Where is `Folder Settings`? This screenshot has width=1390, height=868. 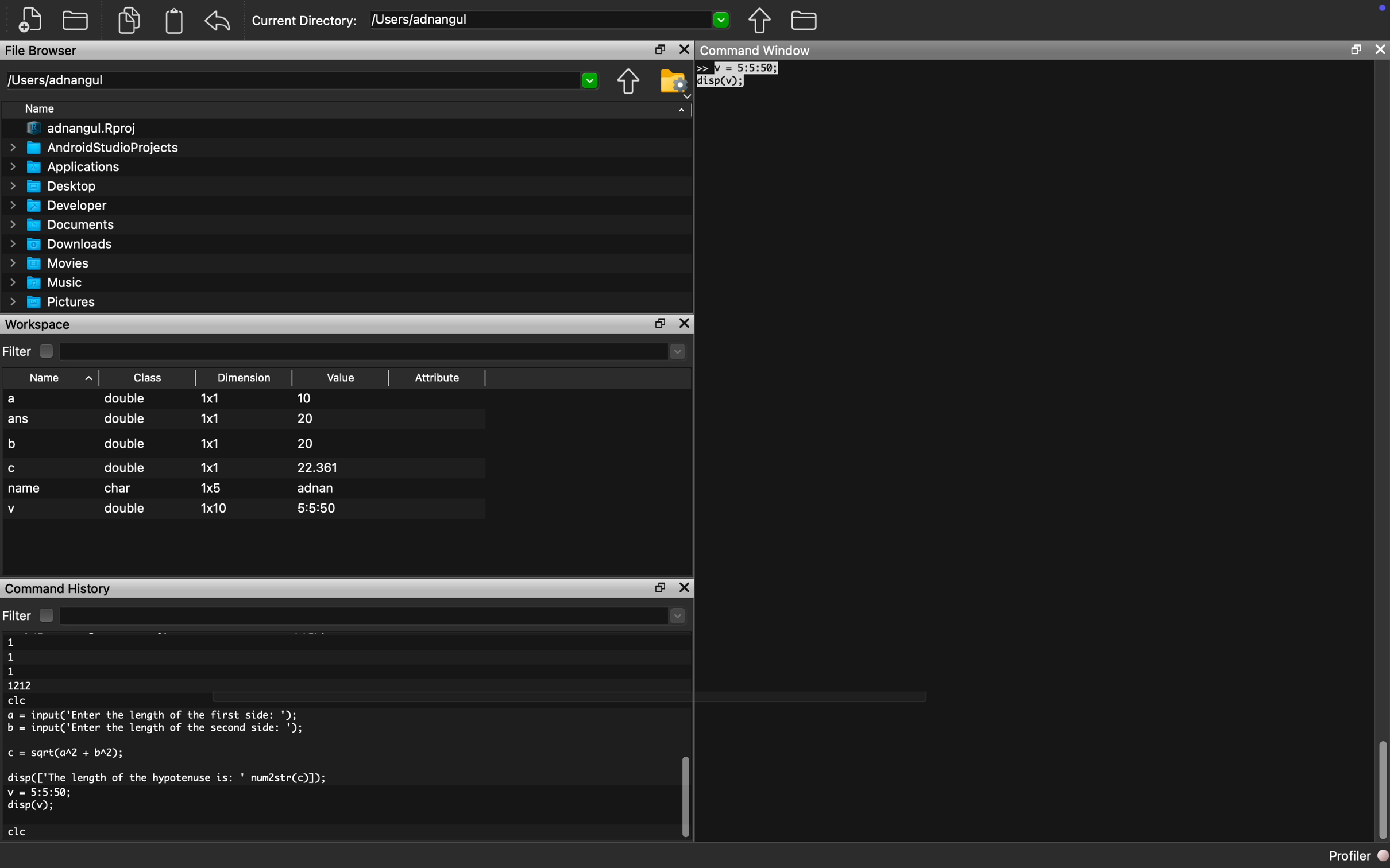 Folder Settings is located at coordinates (674, 83).